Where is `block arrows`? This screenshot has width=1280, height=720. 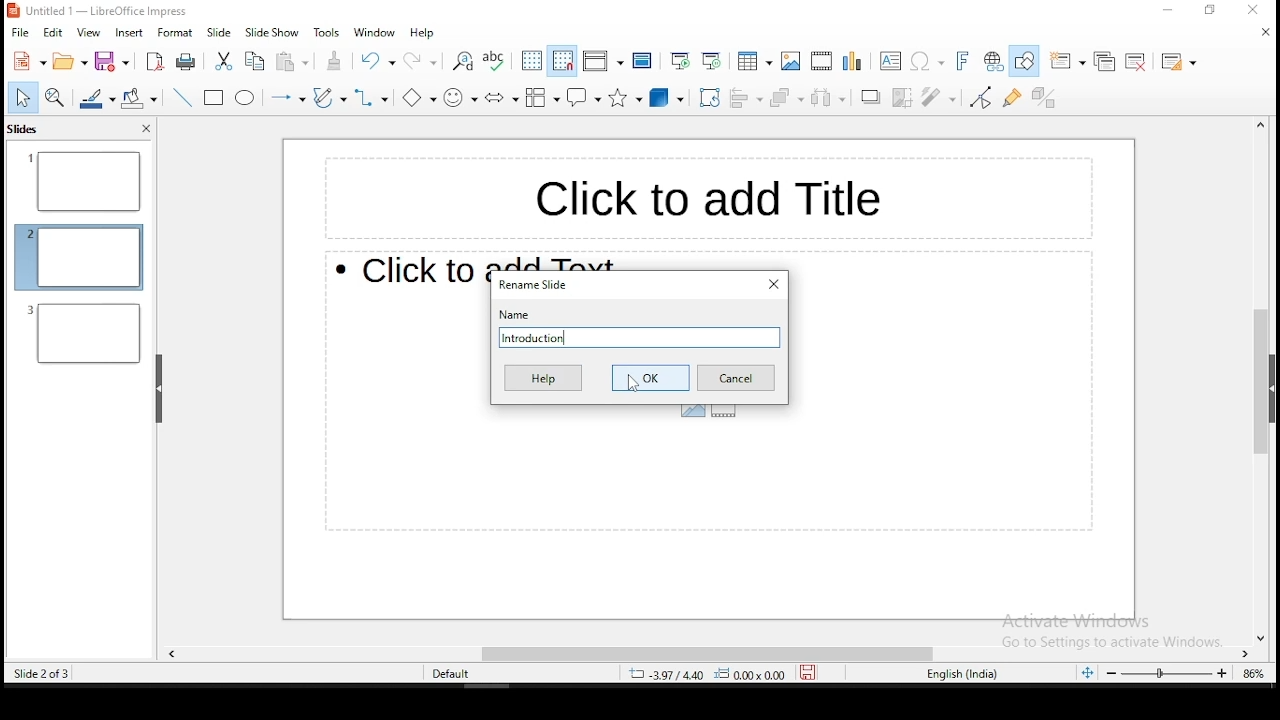
block arrows is located at coordinates (500, 97).